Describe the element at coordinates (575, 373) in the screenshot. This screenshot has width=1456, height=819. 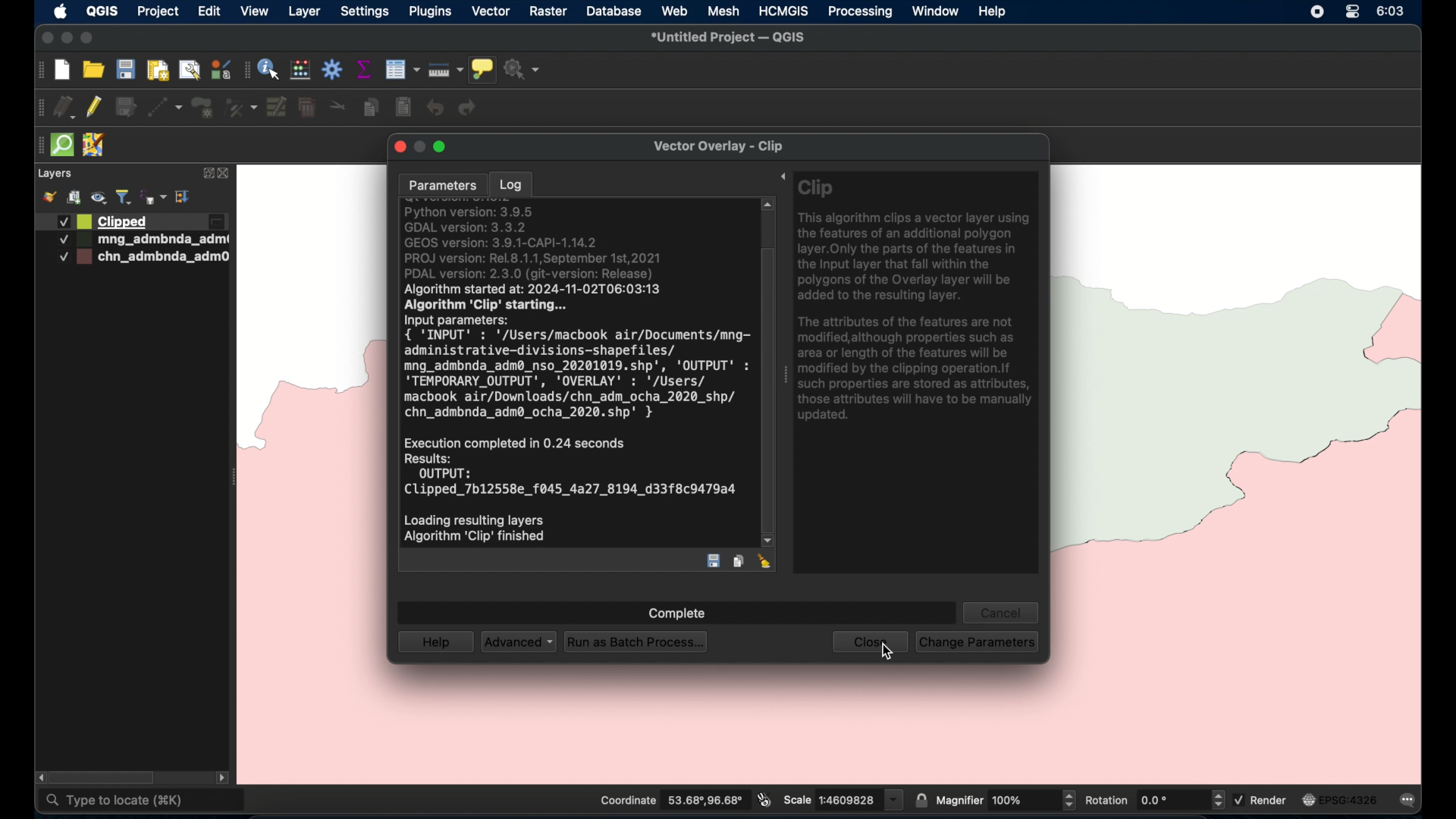
I see `log entry` at that location.